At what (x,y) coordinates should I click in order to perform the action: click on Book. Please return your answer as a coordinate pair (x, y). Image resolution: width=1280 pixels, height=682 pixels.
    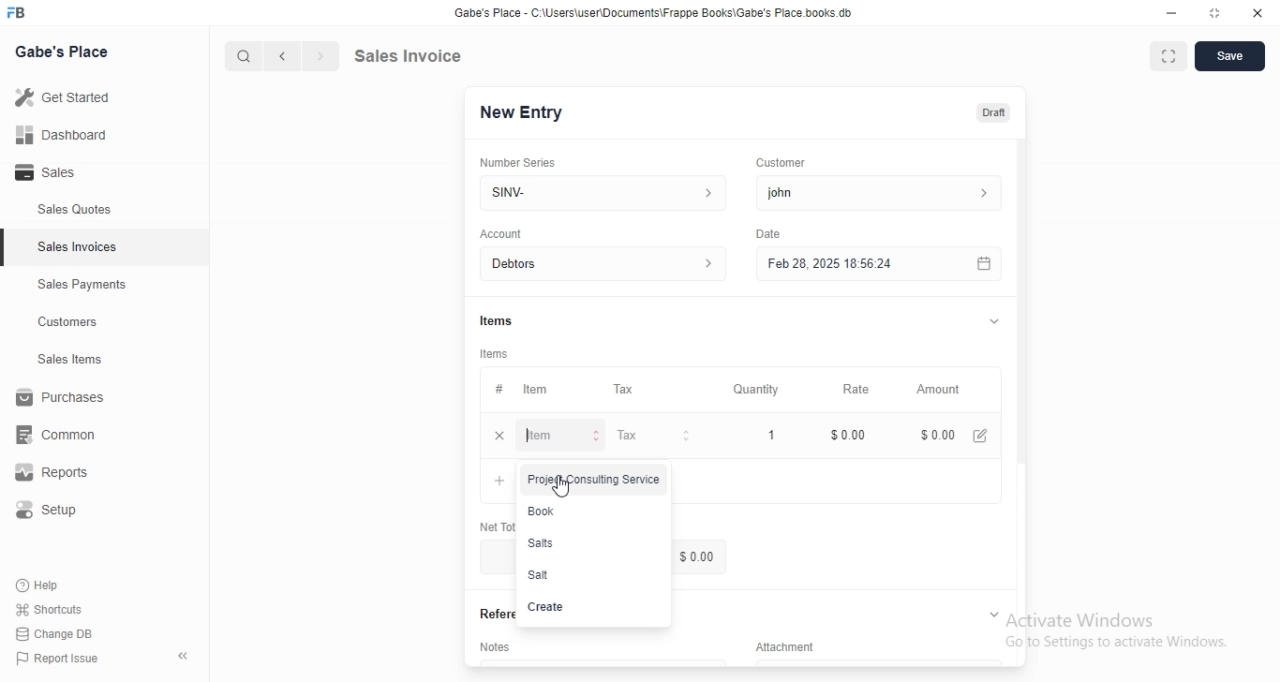
    Looking at the image, I should click on (579, 513).